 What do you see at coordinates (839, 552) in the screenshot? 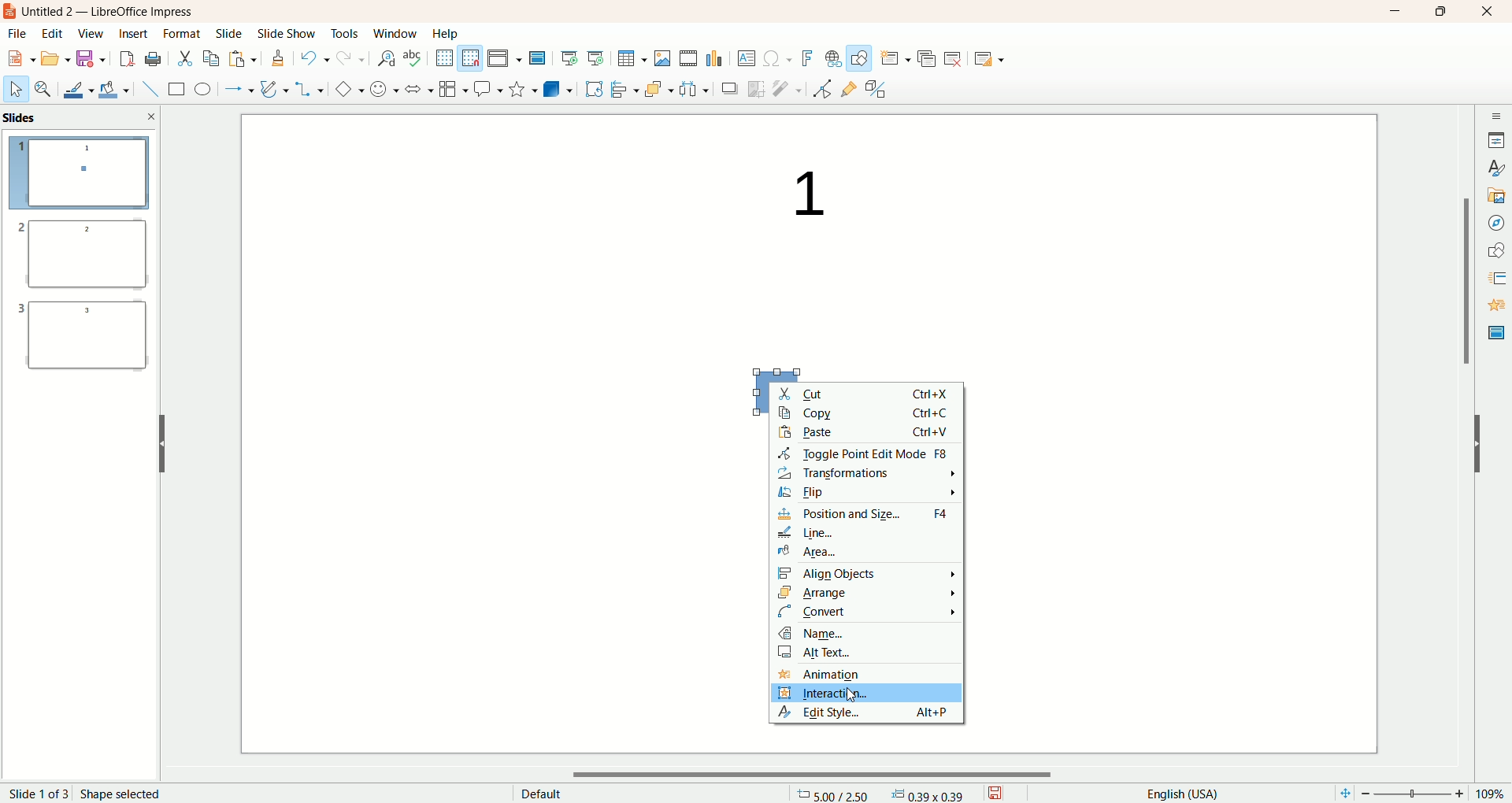
I see `area` at bounding box center [839, 552].